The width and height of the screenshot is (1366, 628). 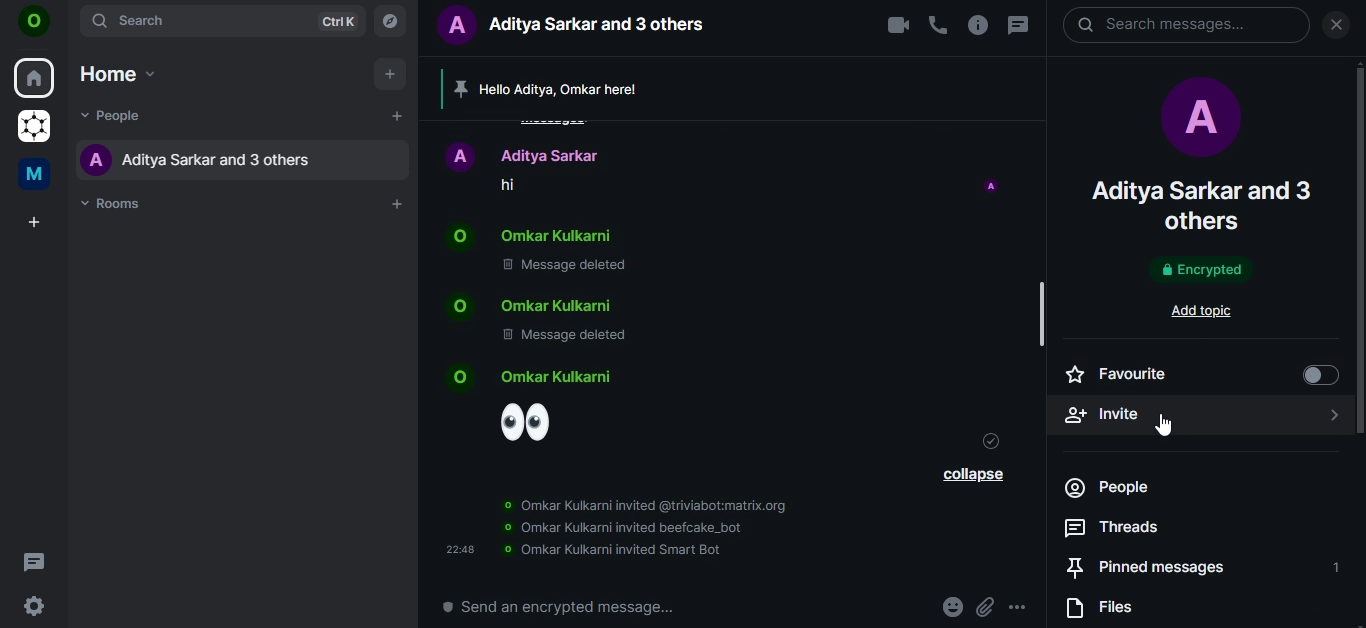 I want to click on add room, so click(x=398, y=204).